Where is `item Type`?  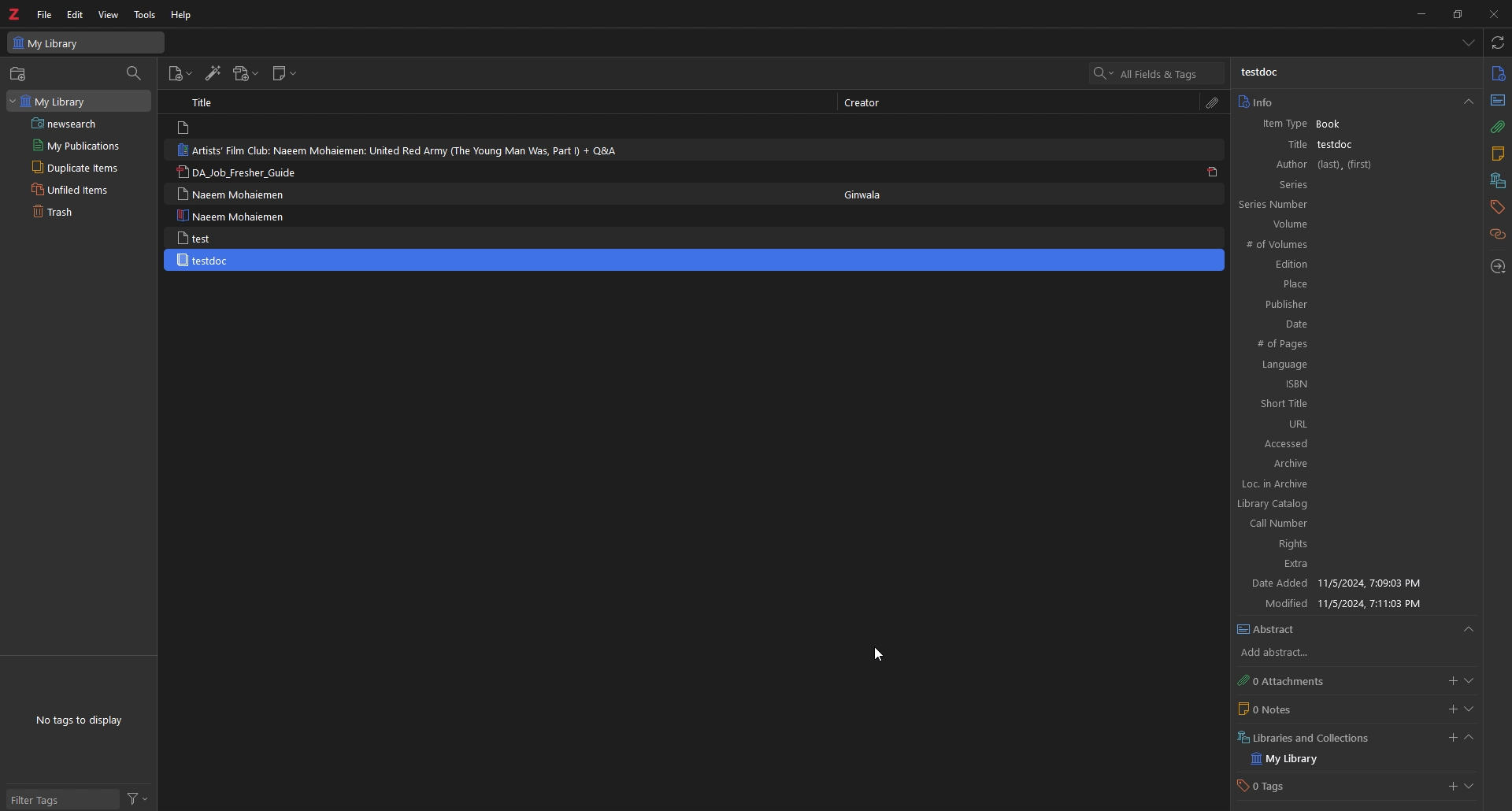
item Type is located at coordinates (1279, 125).